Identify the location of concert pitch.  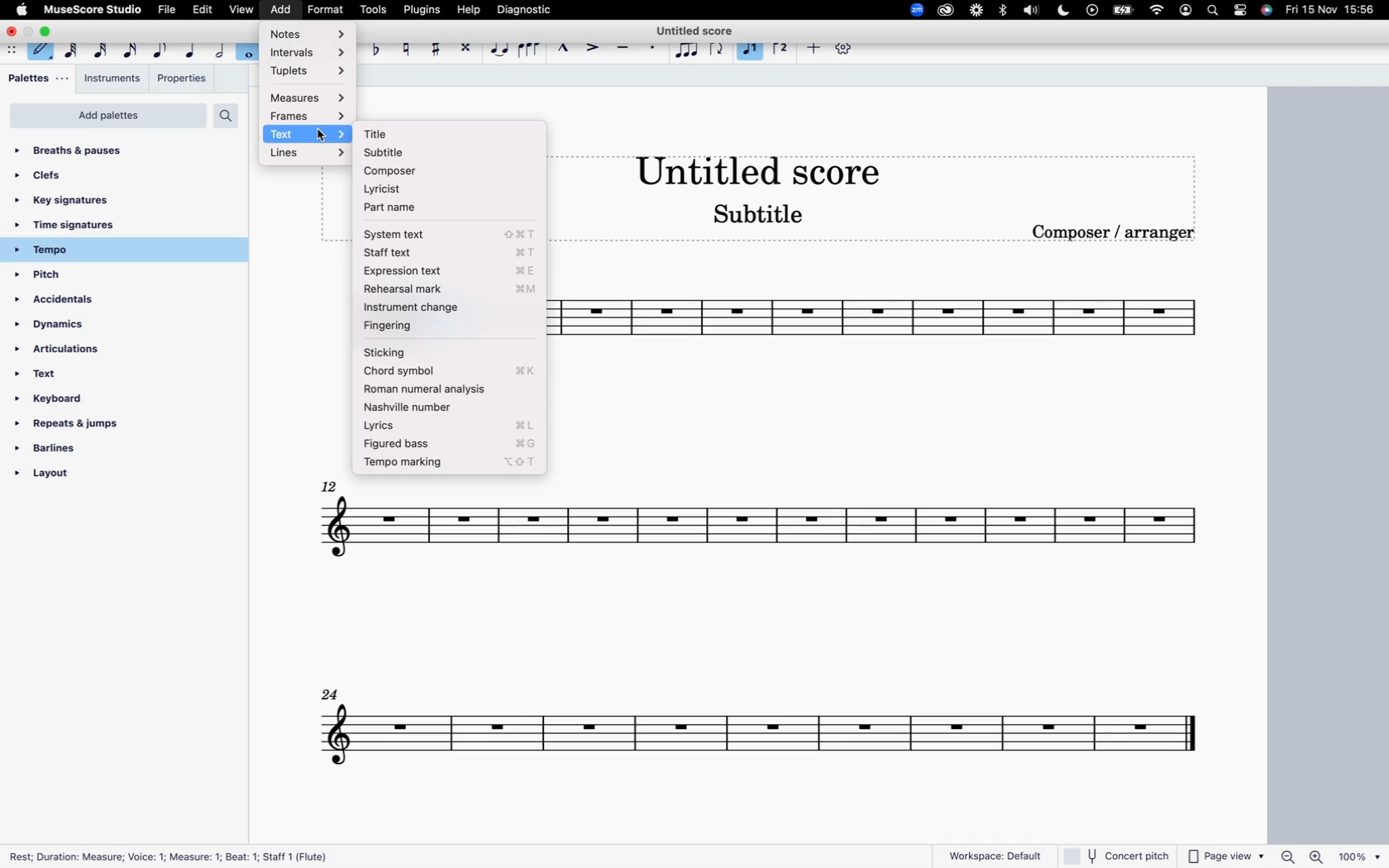
(1120, 853).